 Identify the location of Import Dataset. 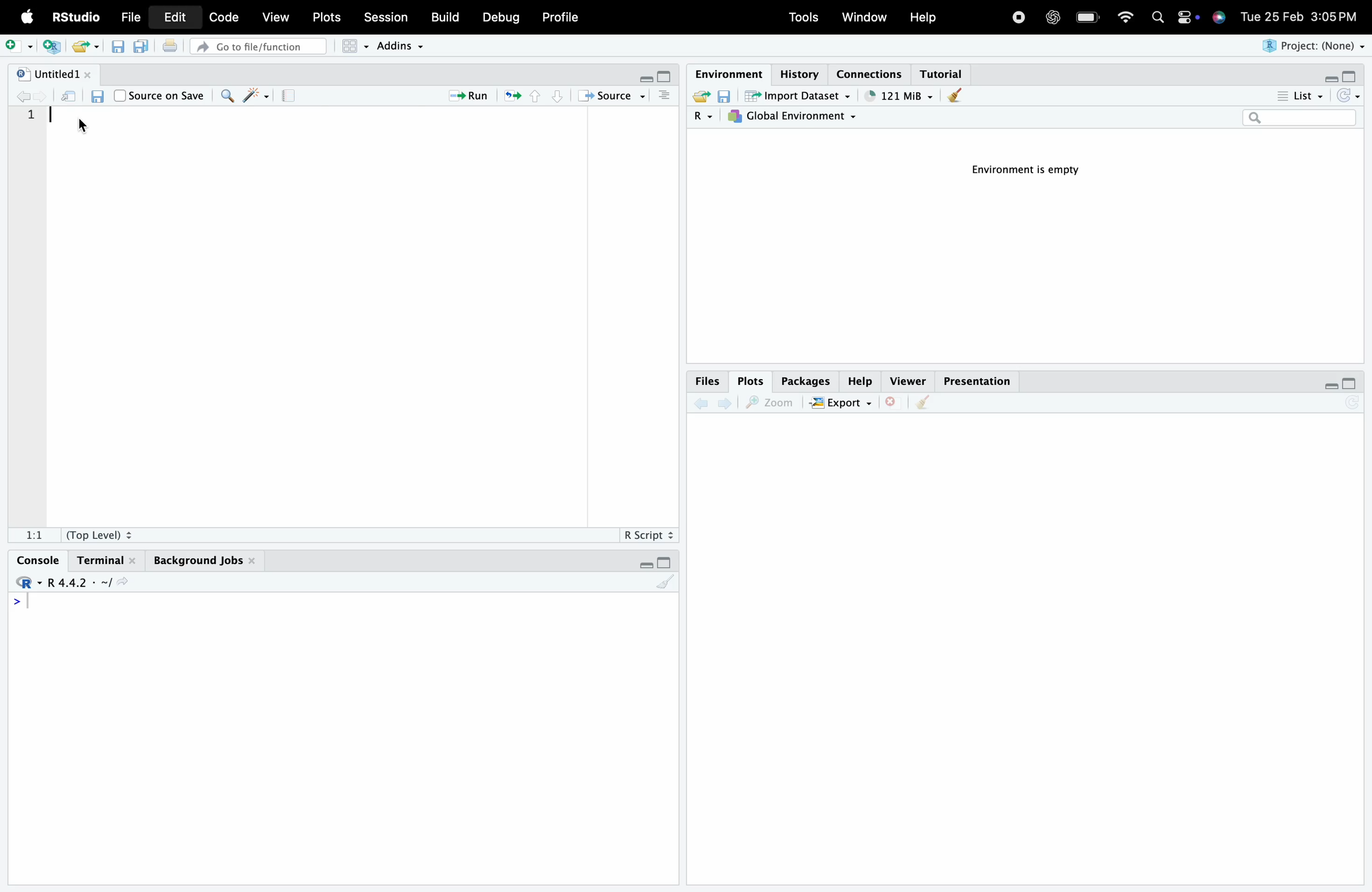
(798, 96).